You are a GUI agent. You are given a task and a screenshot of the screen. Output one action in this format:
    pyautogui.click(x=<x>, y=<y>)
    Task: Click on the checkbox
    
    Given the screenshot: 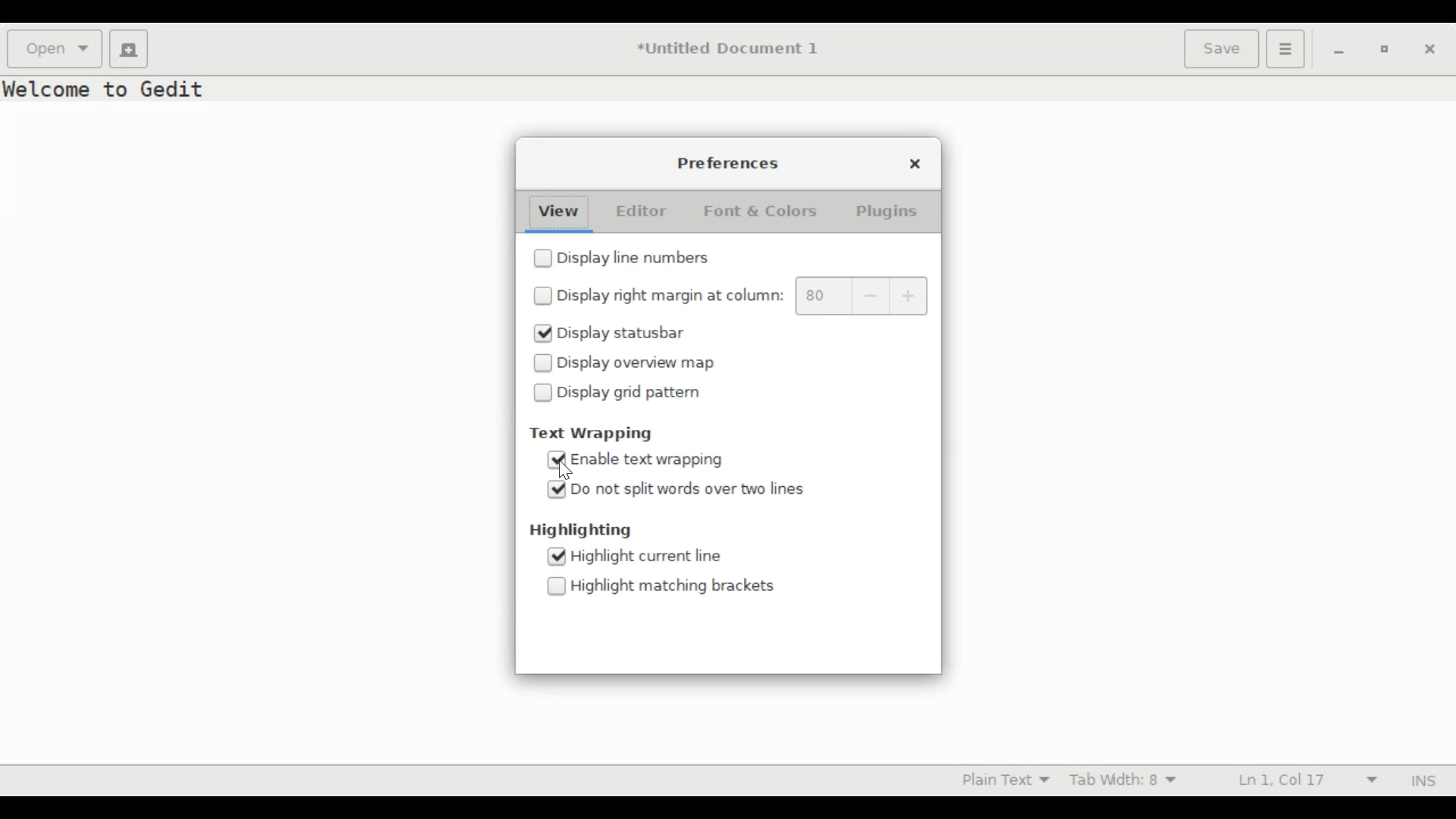 What is the action you would take?
    pyautogui.click(x=557, y=588)
    